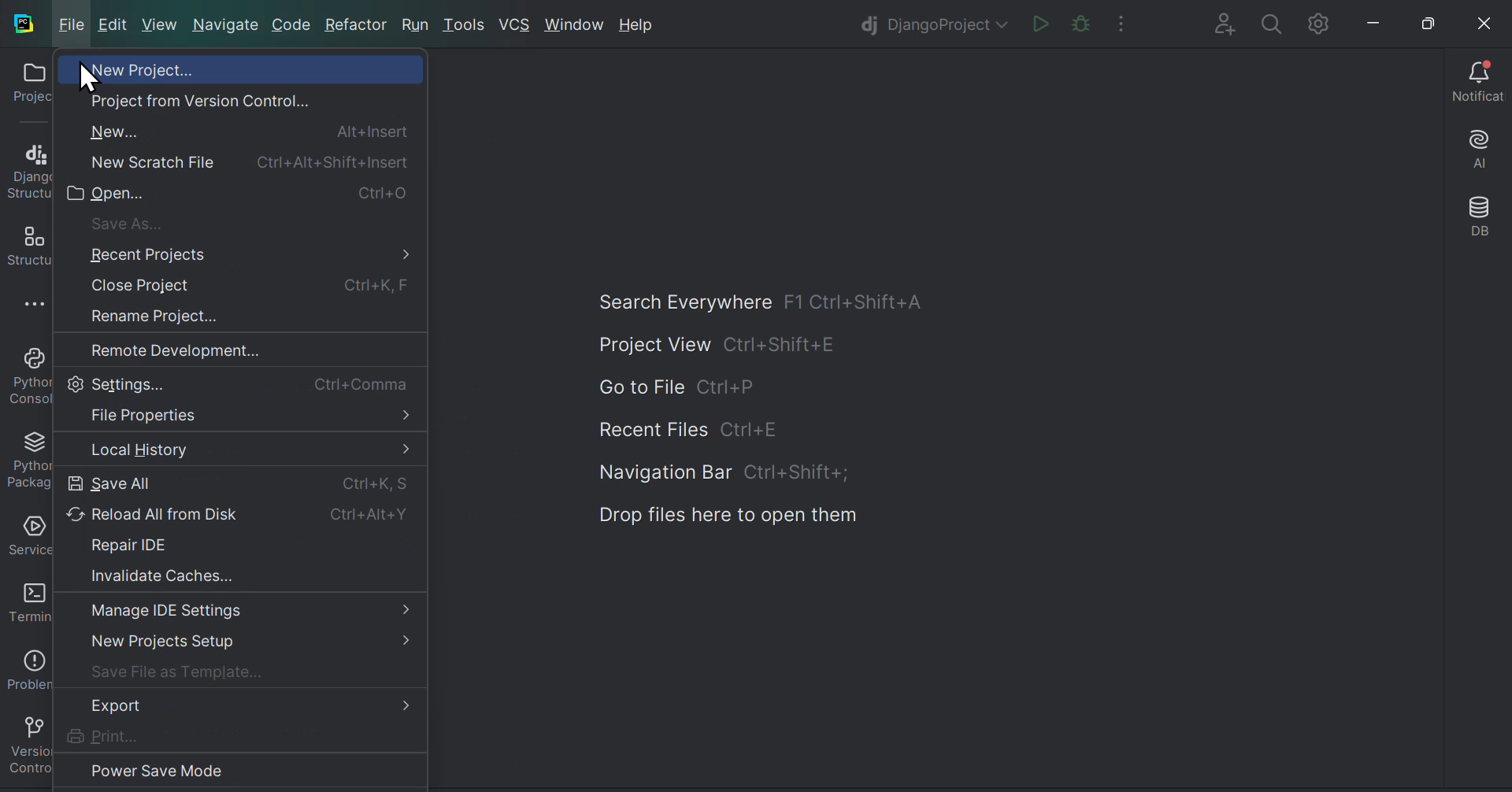 This screenshot has height=792, width=1512. What do you see at coordinates (698, 431) in the screenshot?
I see `Recent files` at bounding box center [698, 431].